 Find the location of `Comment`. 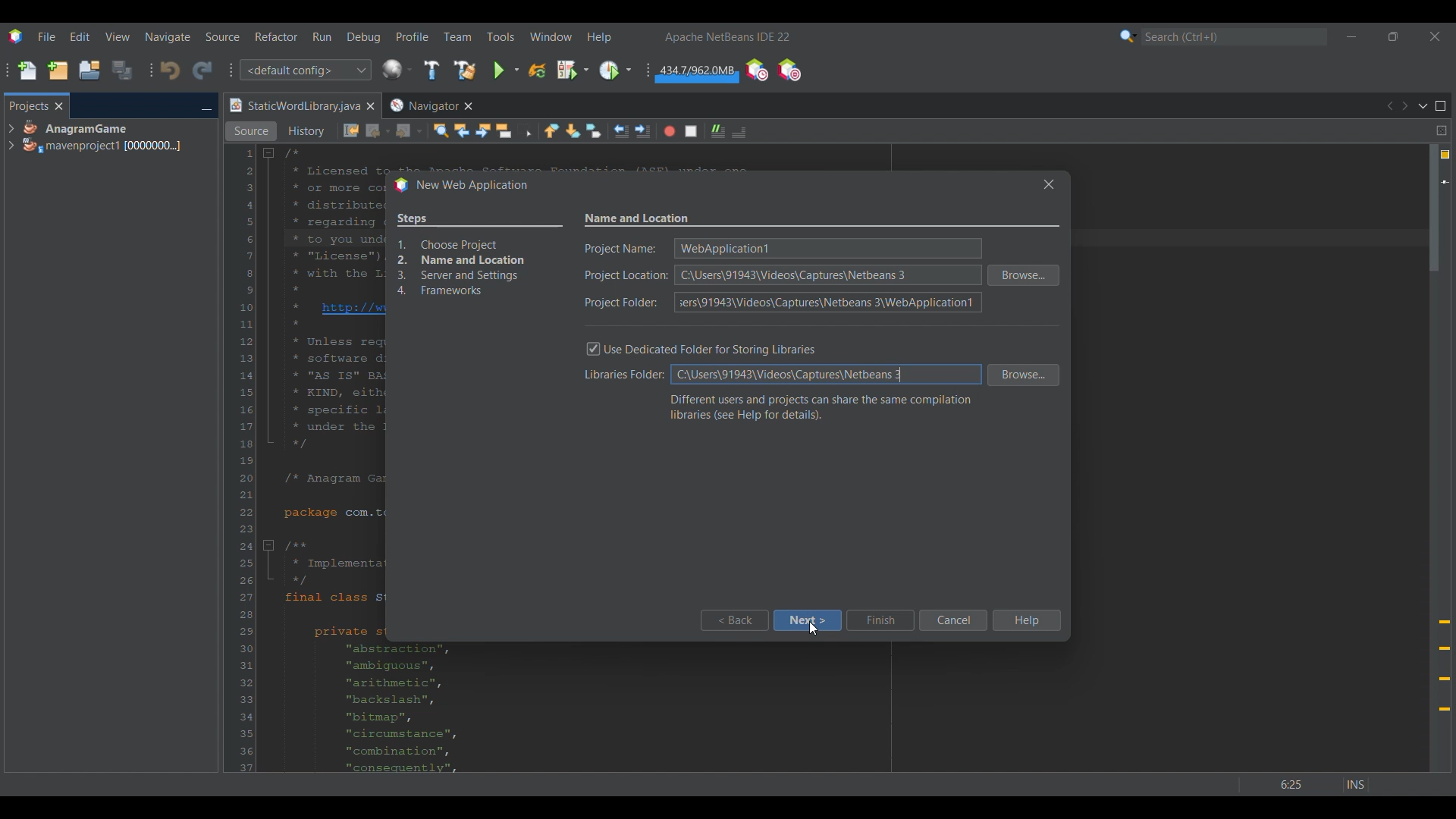

Comment is located at coordinates (739, 132).